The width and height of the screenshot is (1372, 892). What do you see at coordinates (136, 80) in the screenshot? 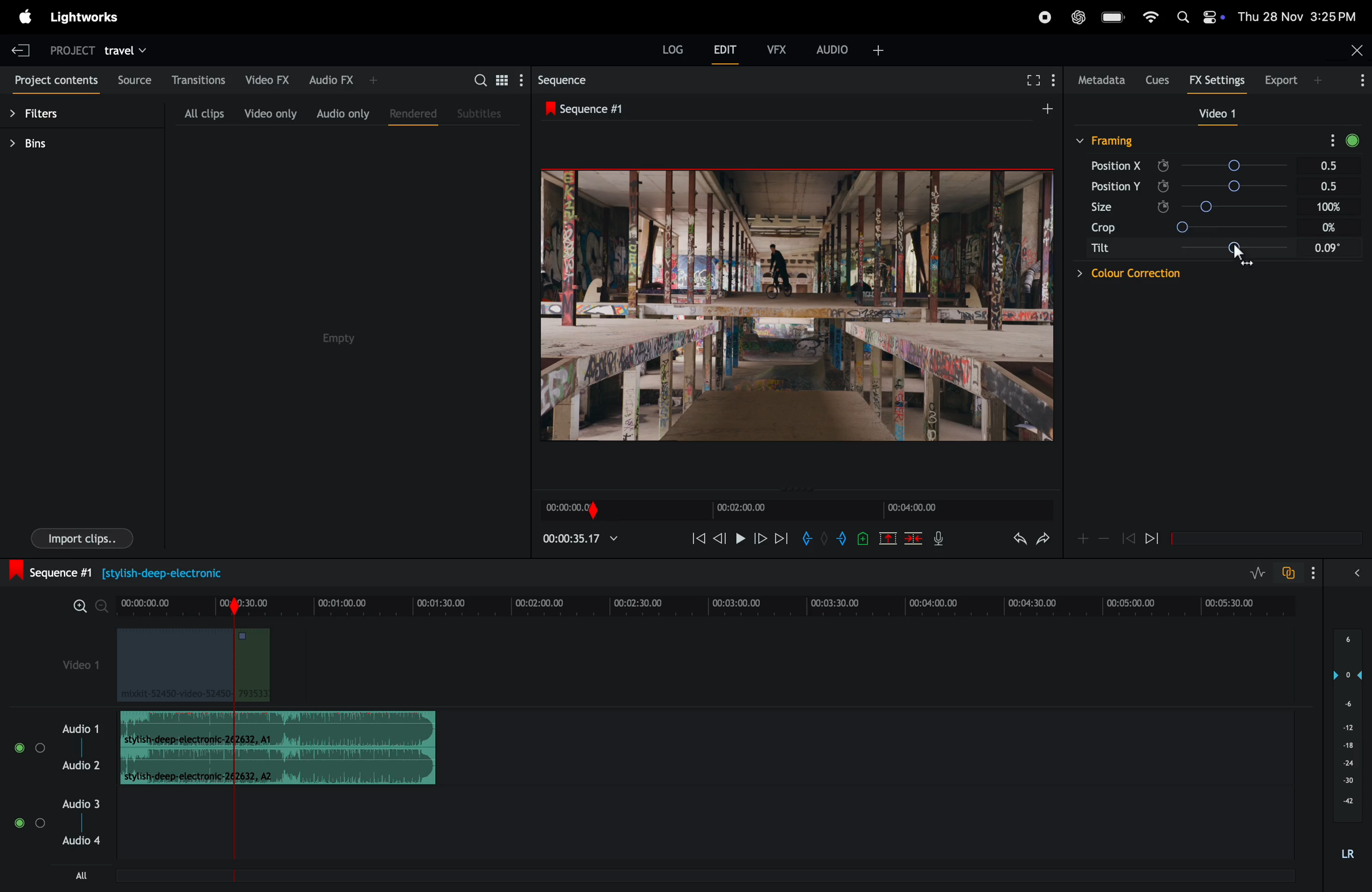
I see `sources` at bounding box center [136, 80].